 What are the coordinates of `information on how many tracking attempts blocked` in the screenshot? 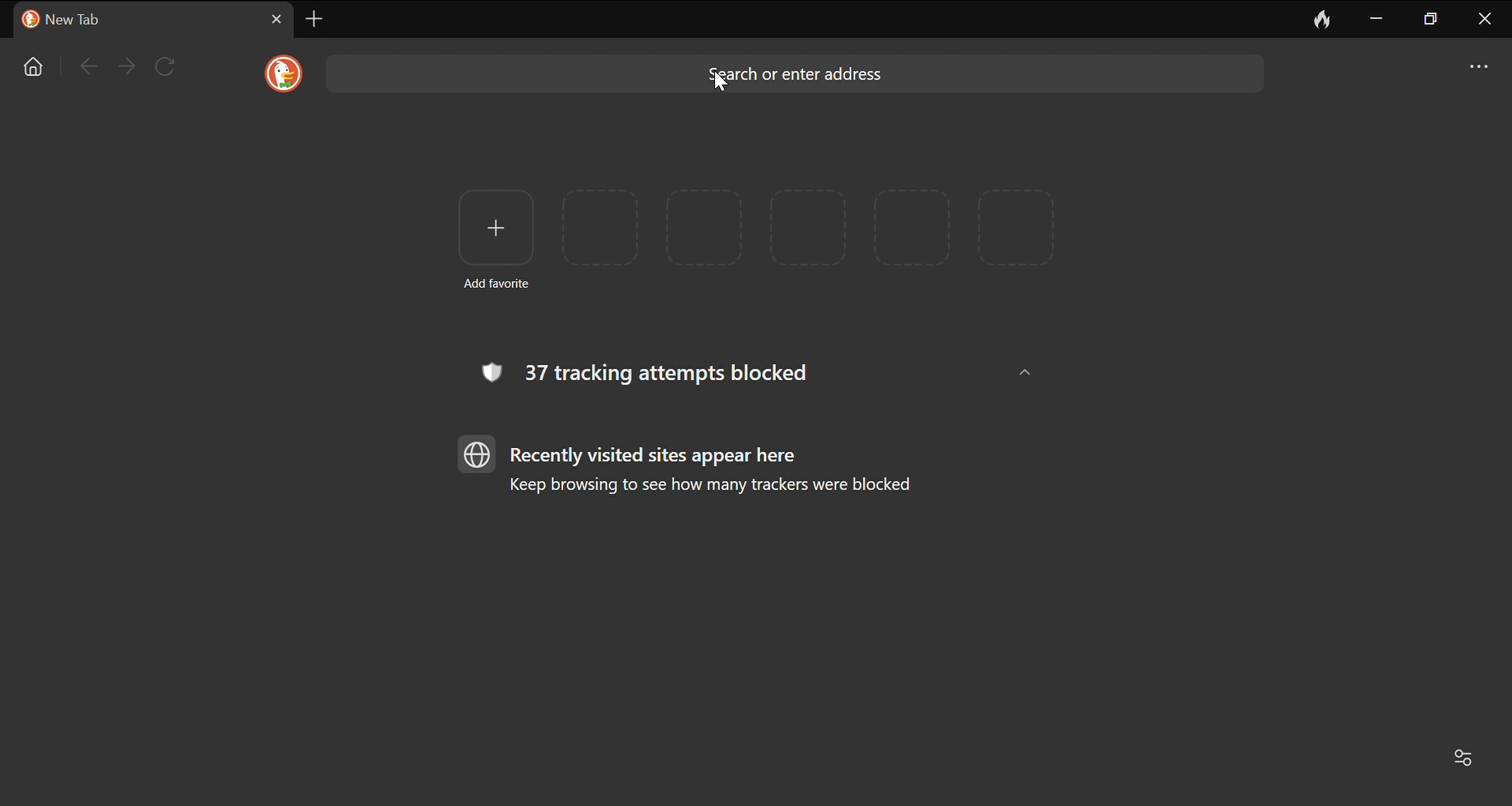 It's located at (650, 372).